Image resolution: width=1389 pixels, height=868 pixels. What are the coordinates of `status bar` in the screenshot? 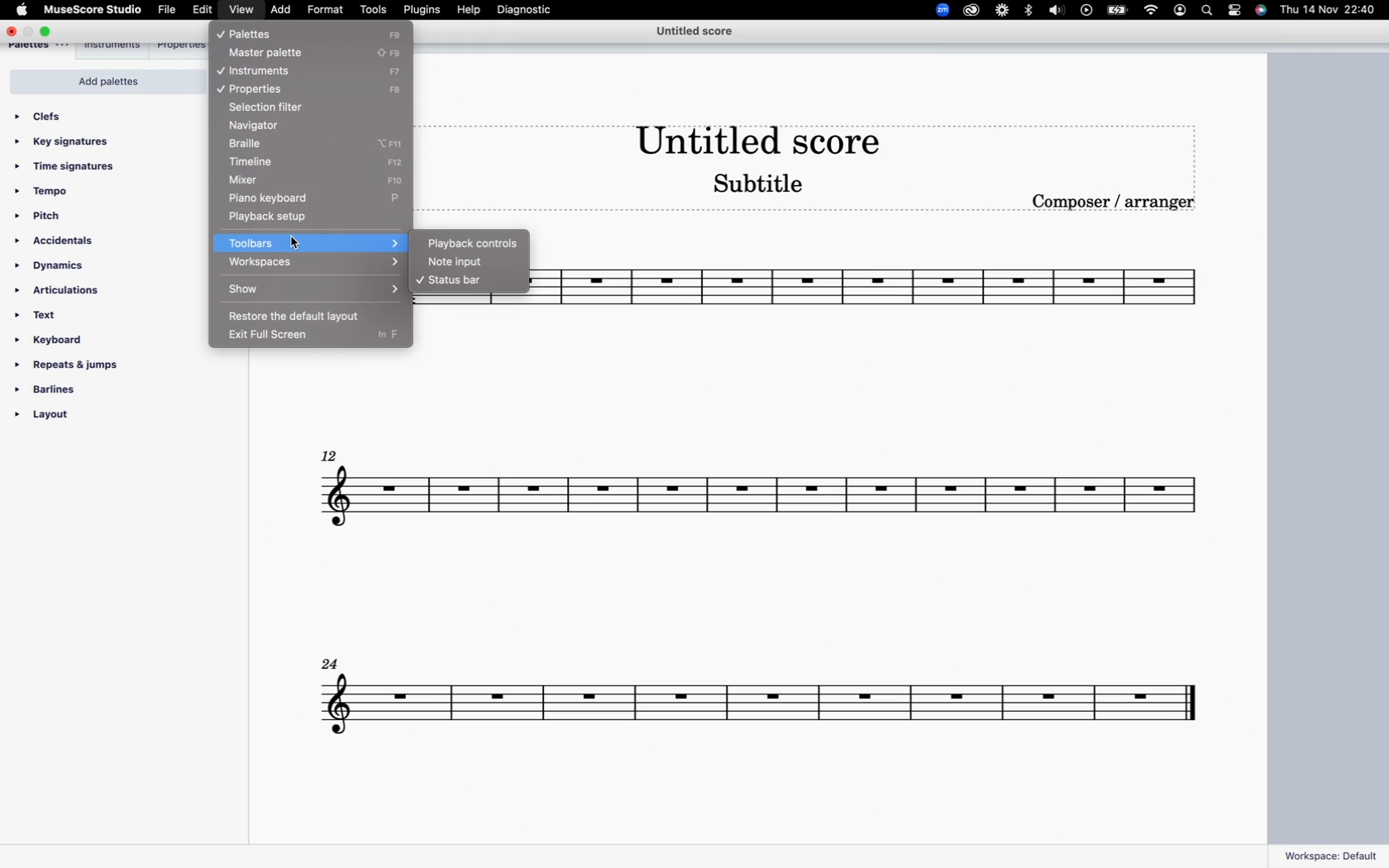 It's located at (468, 283).